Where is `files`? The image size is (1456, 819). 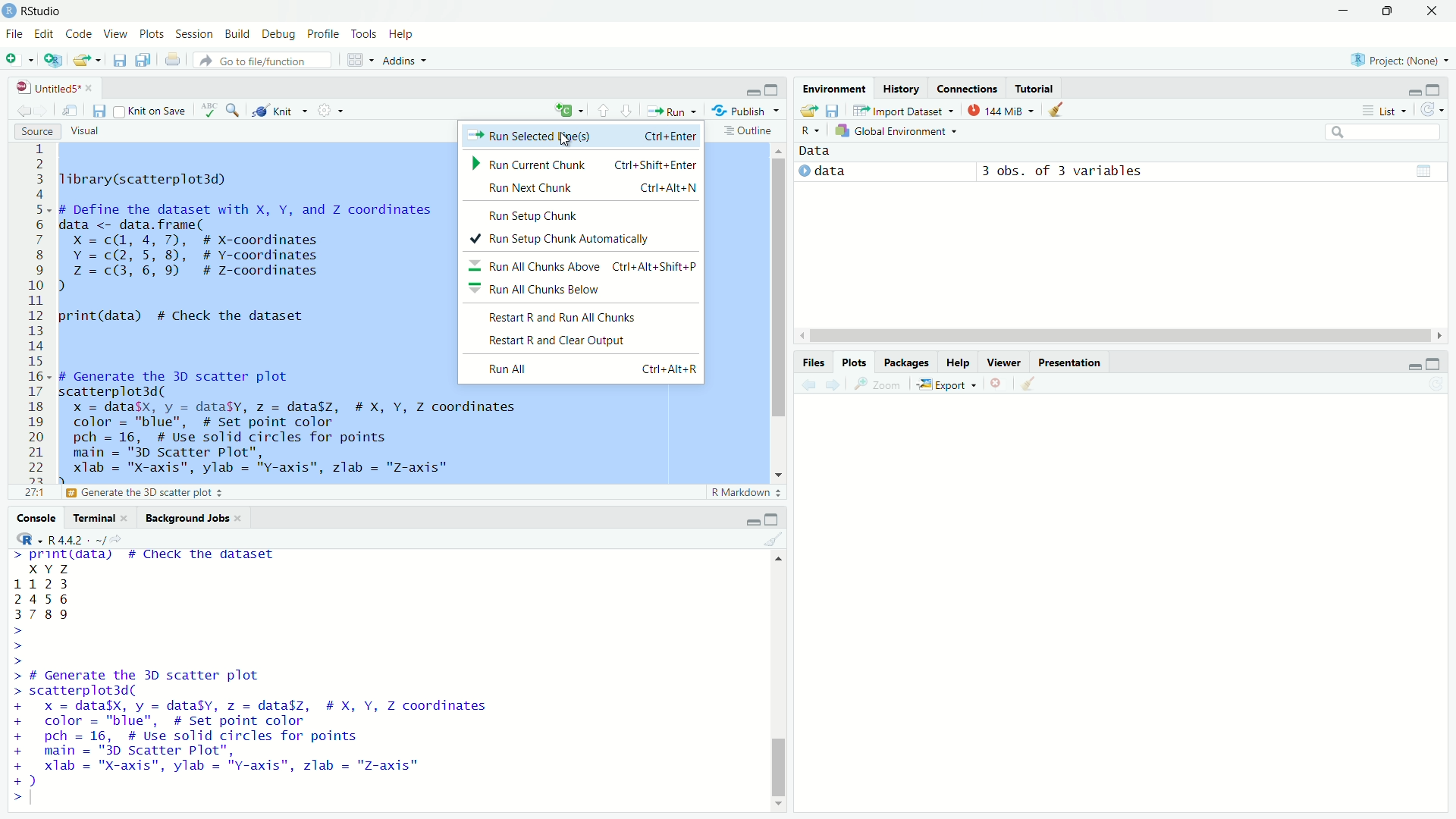
files is located at coordinates (811, 362).